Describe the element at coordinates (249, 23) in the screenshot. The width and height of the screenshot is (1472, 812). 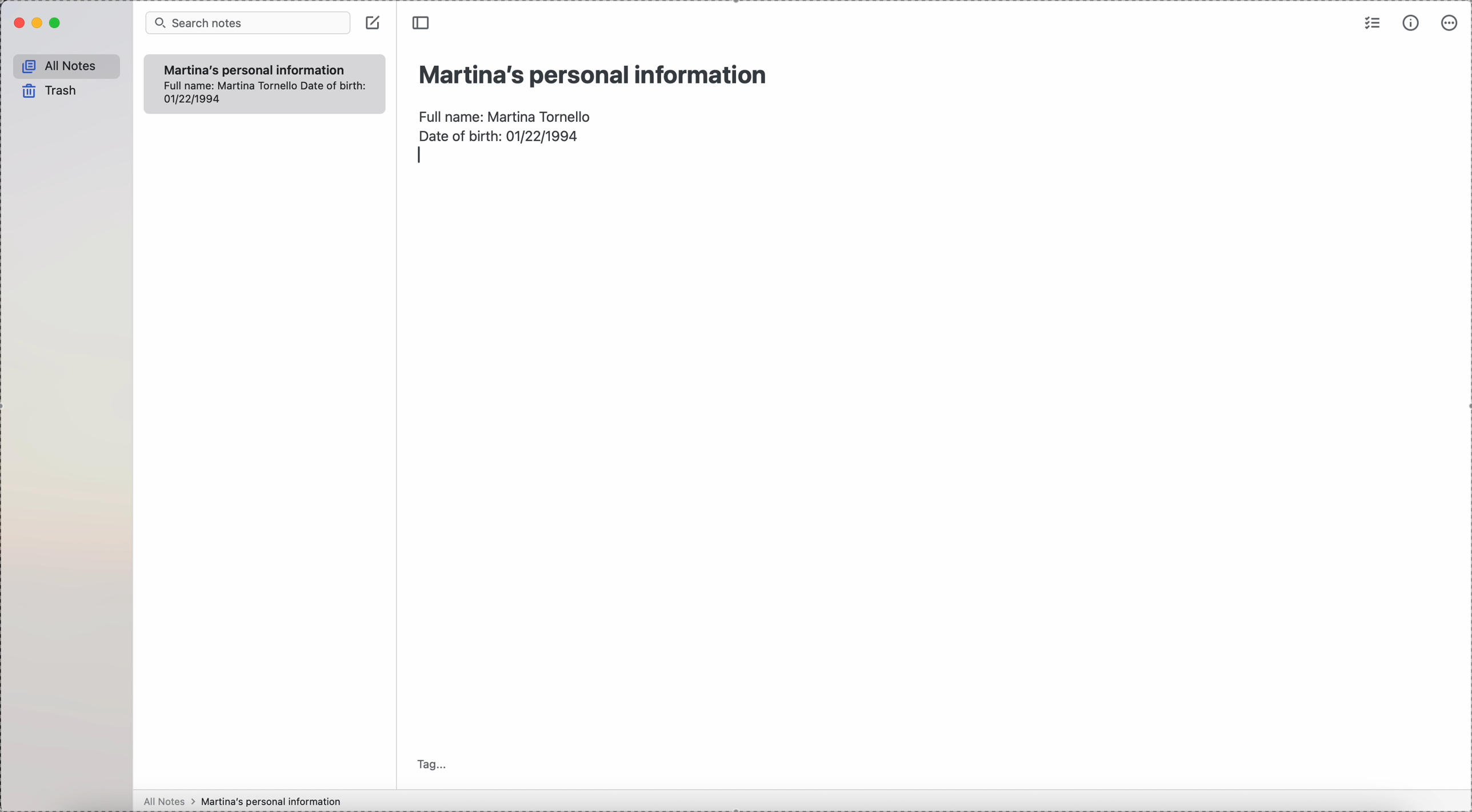
I see `search bar` at that location.